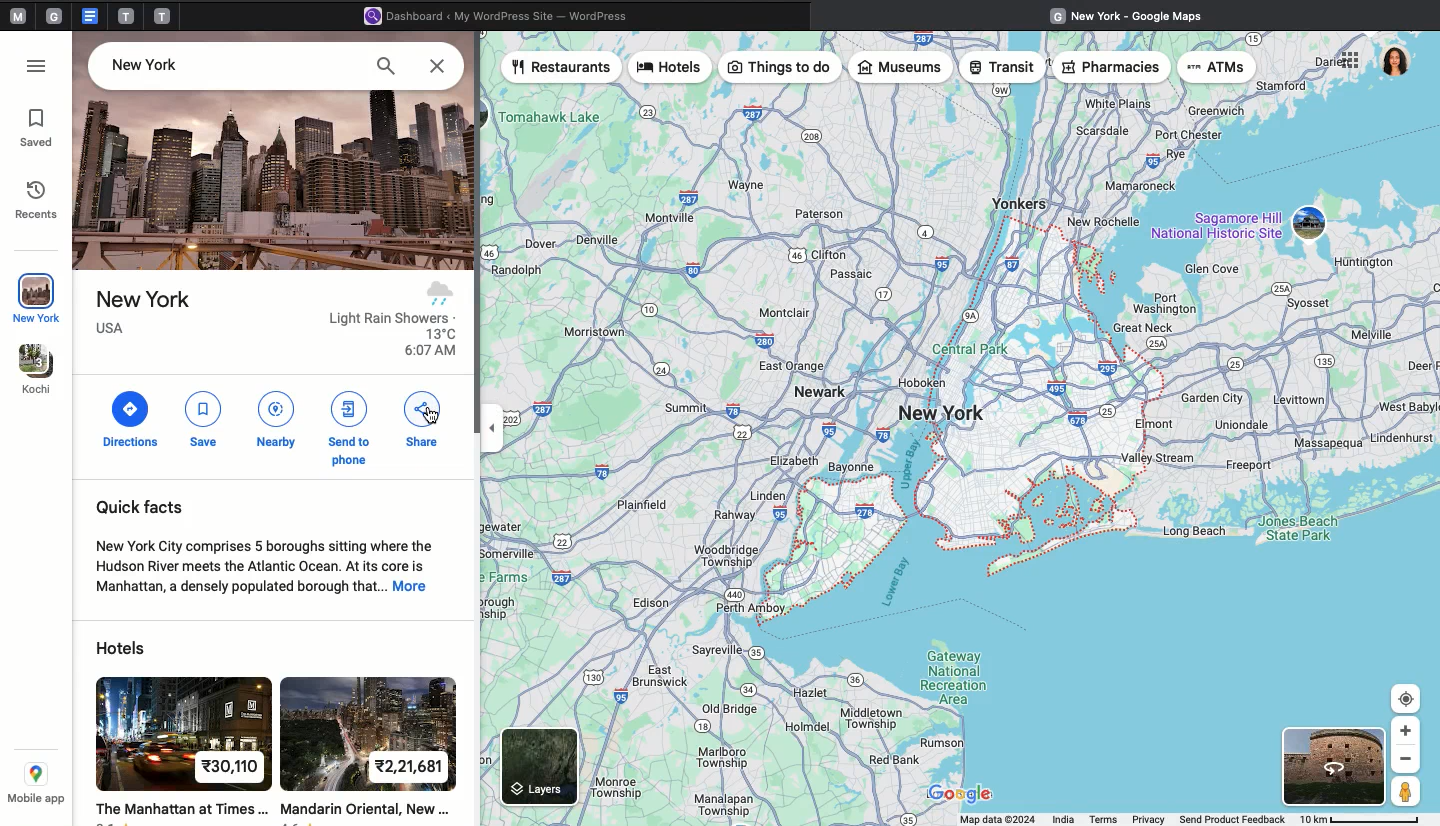 Image resolution: width=1440 pixels, height=826 pixels. I want to click on Restaurants, so click(562, 69).